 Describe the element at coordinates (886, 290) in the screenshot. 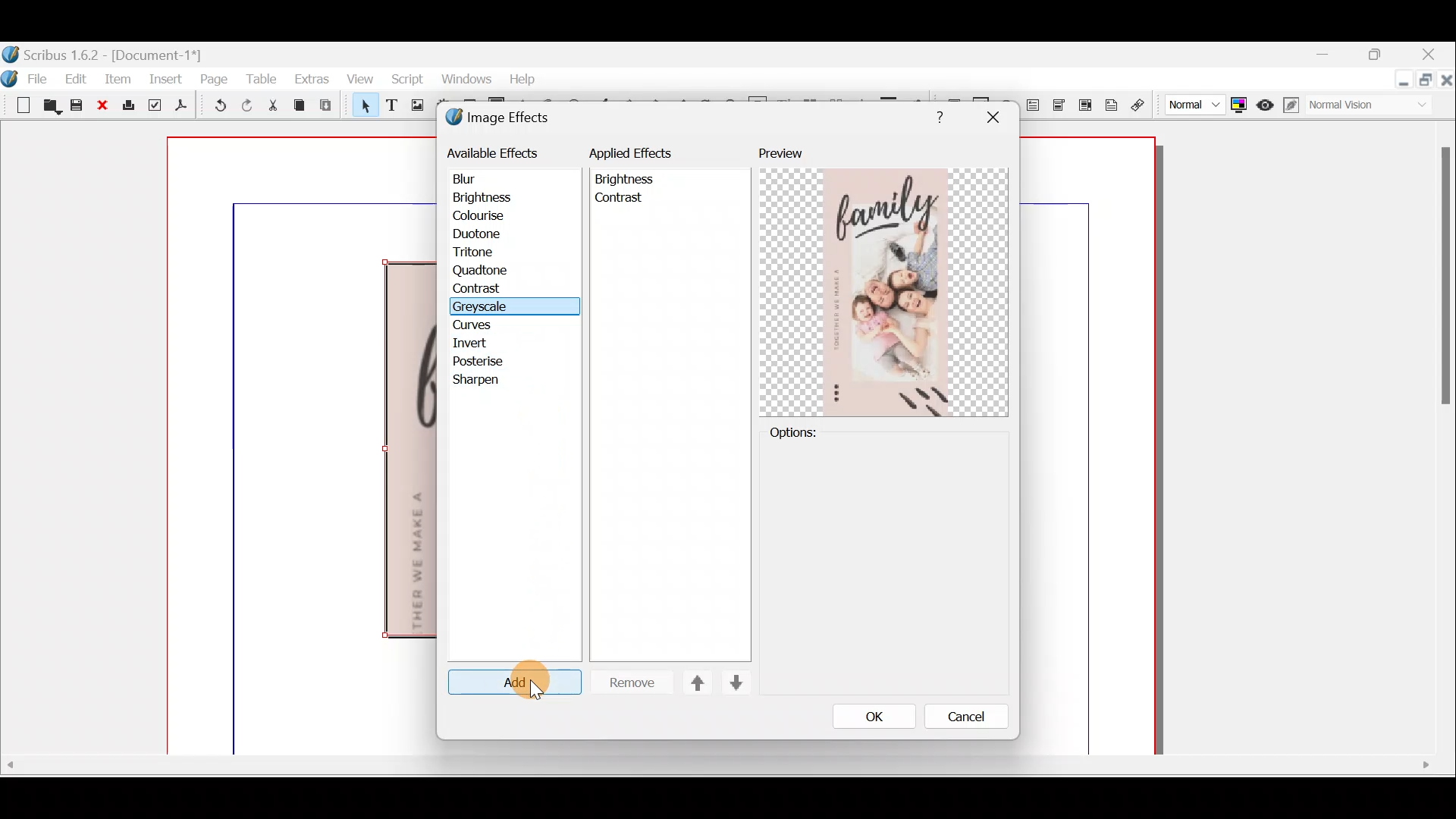

I see `Preview` at that location.